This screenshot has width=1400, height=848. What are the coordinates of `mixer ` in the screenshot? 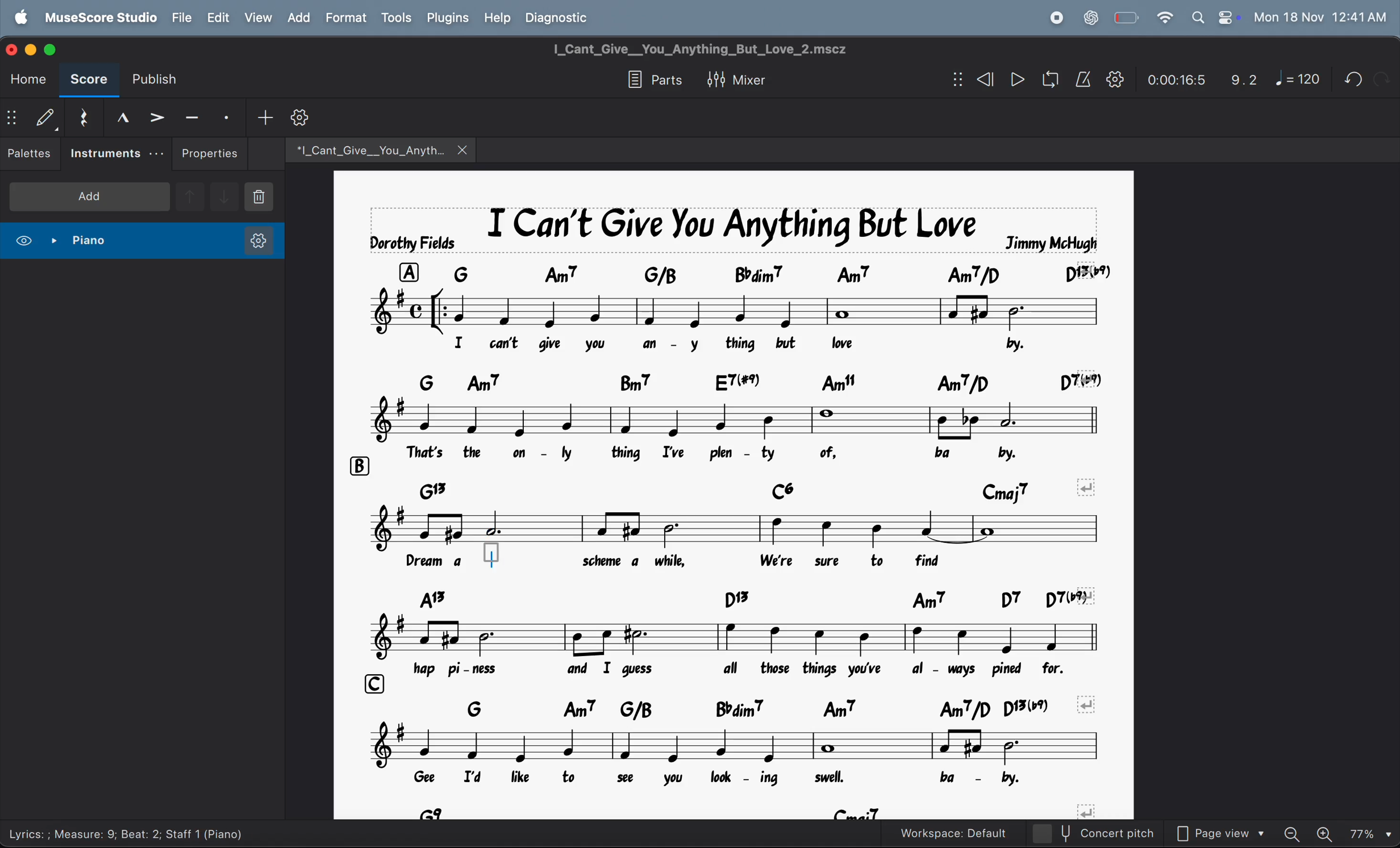 It's located at (734, 79).